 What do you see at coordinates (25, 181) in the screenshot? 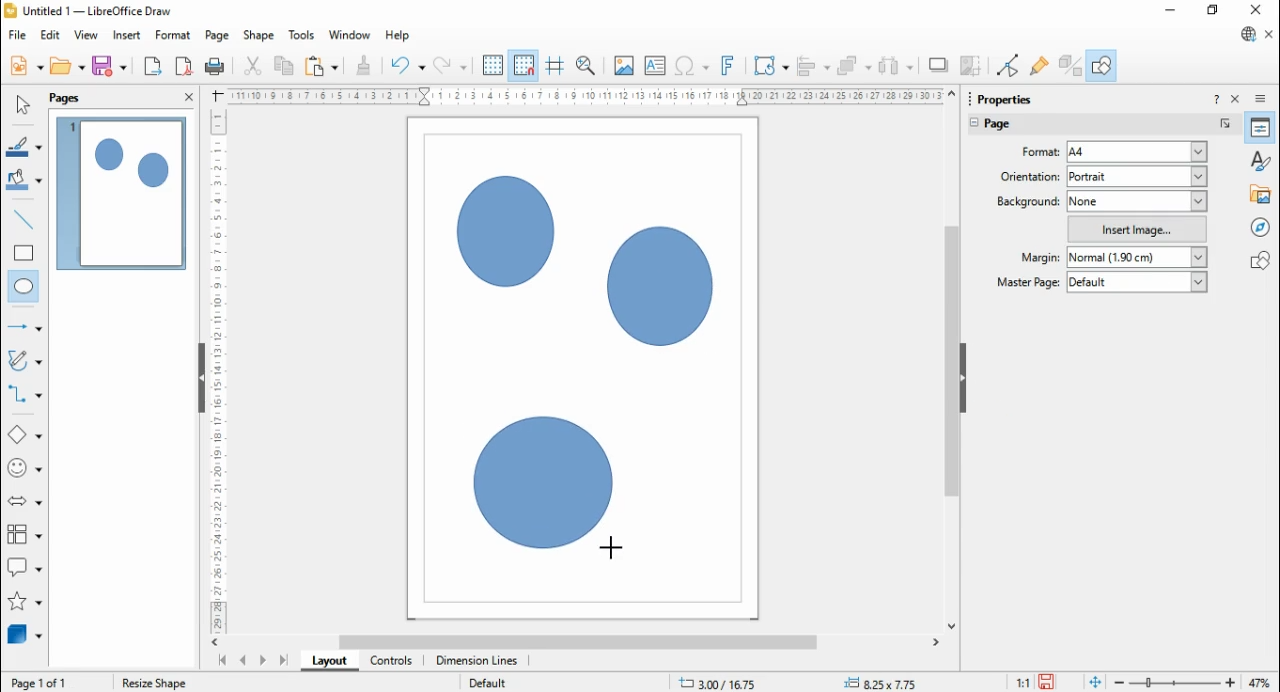
I see `fill color` at bounding box center [25, 181].